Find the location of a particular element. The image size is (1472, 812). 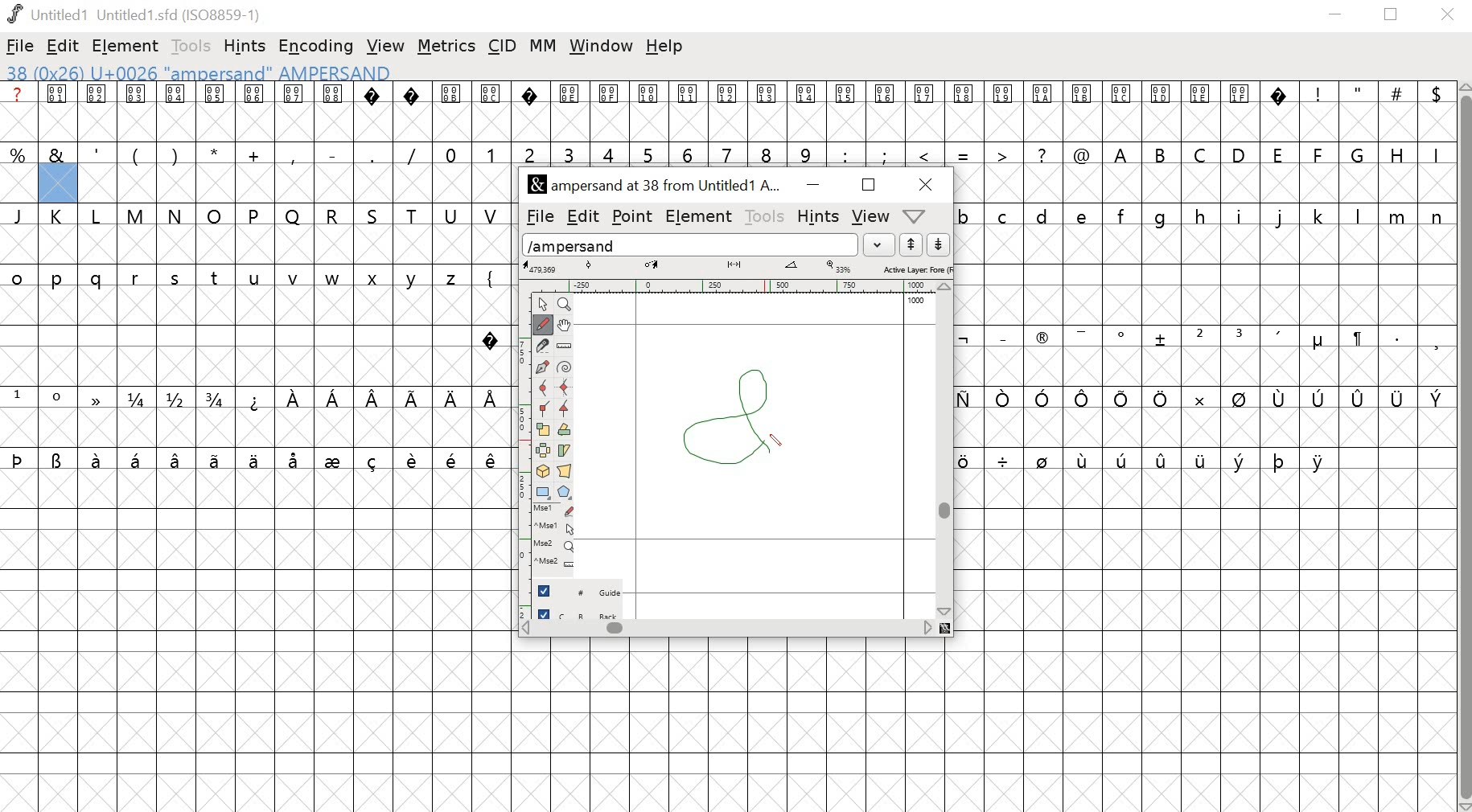

z is located at coordinates (454, 276).